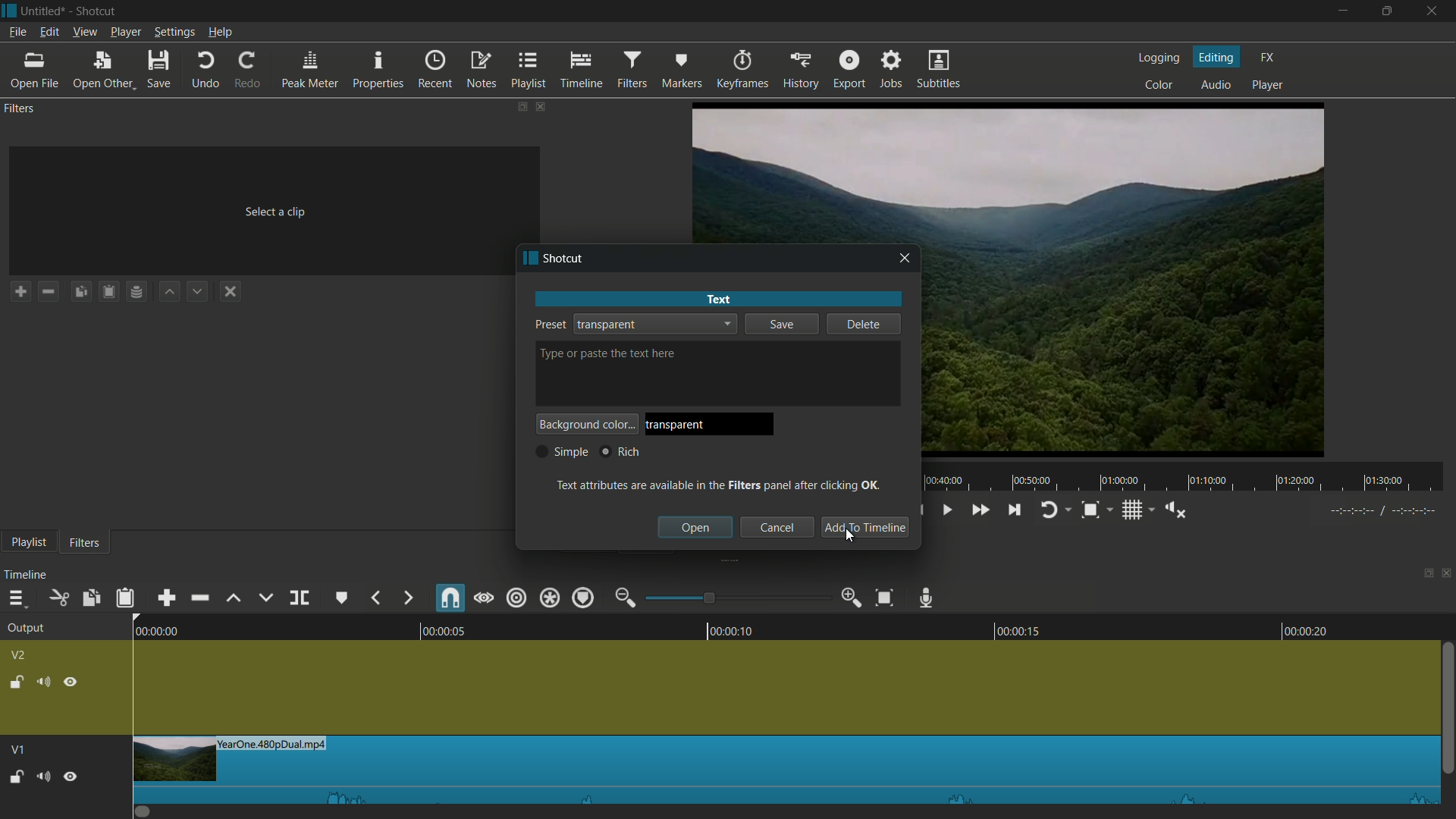  I want to click on subtitles, so click(940, 71).